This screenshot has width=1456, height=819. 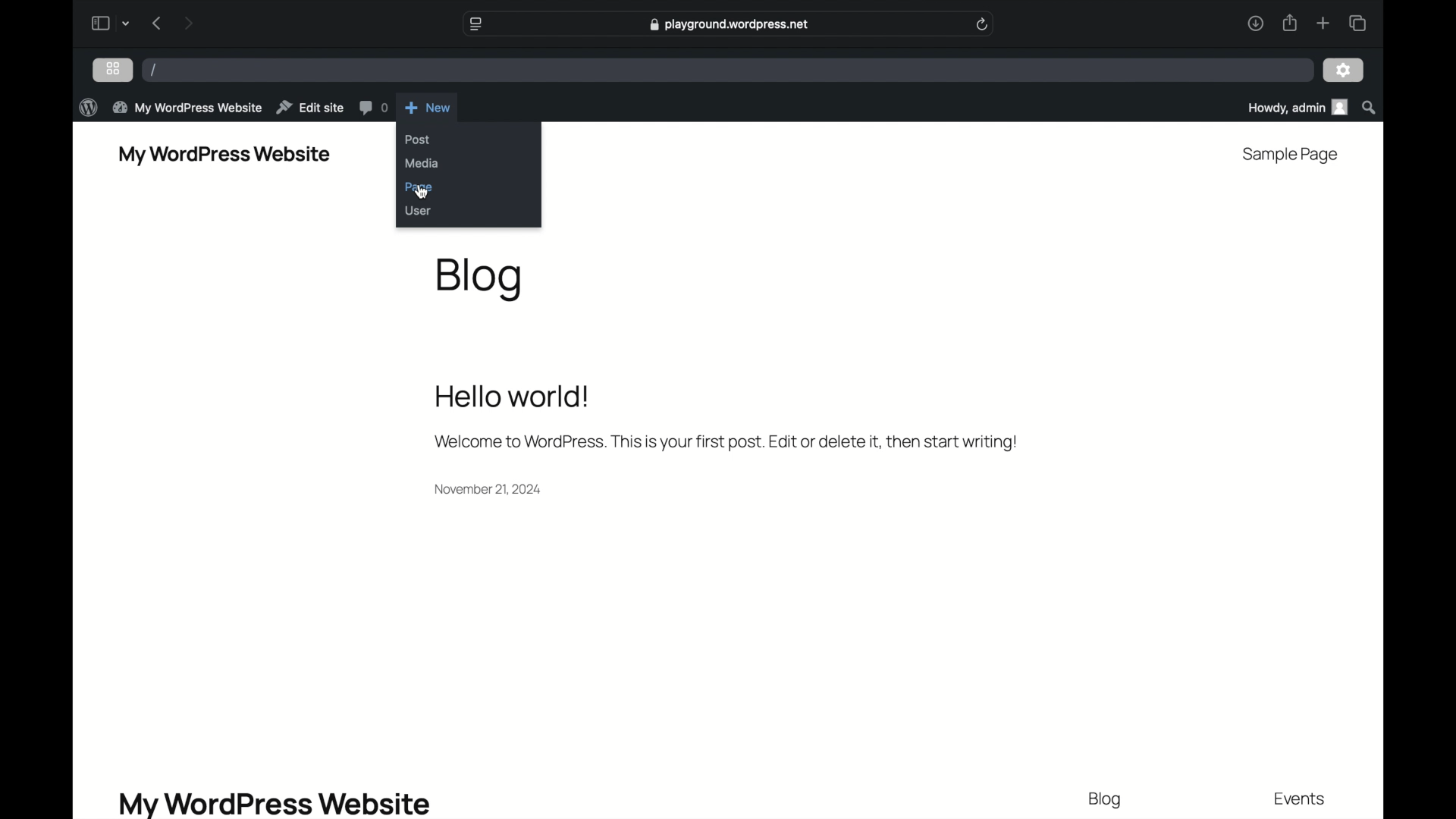 I want to click on show sidebar, so click(x=99, y=24).